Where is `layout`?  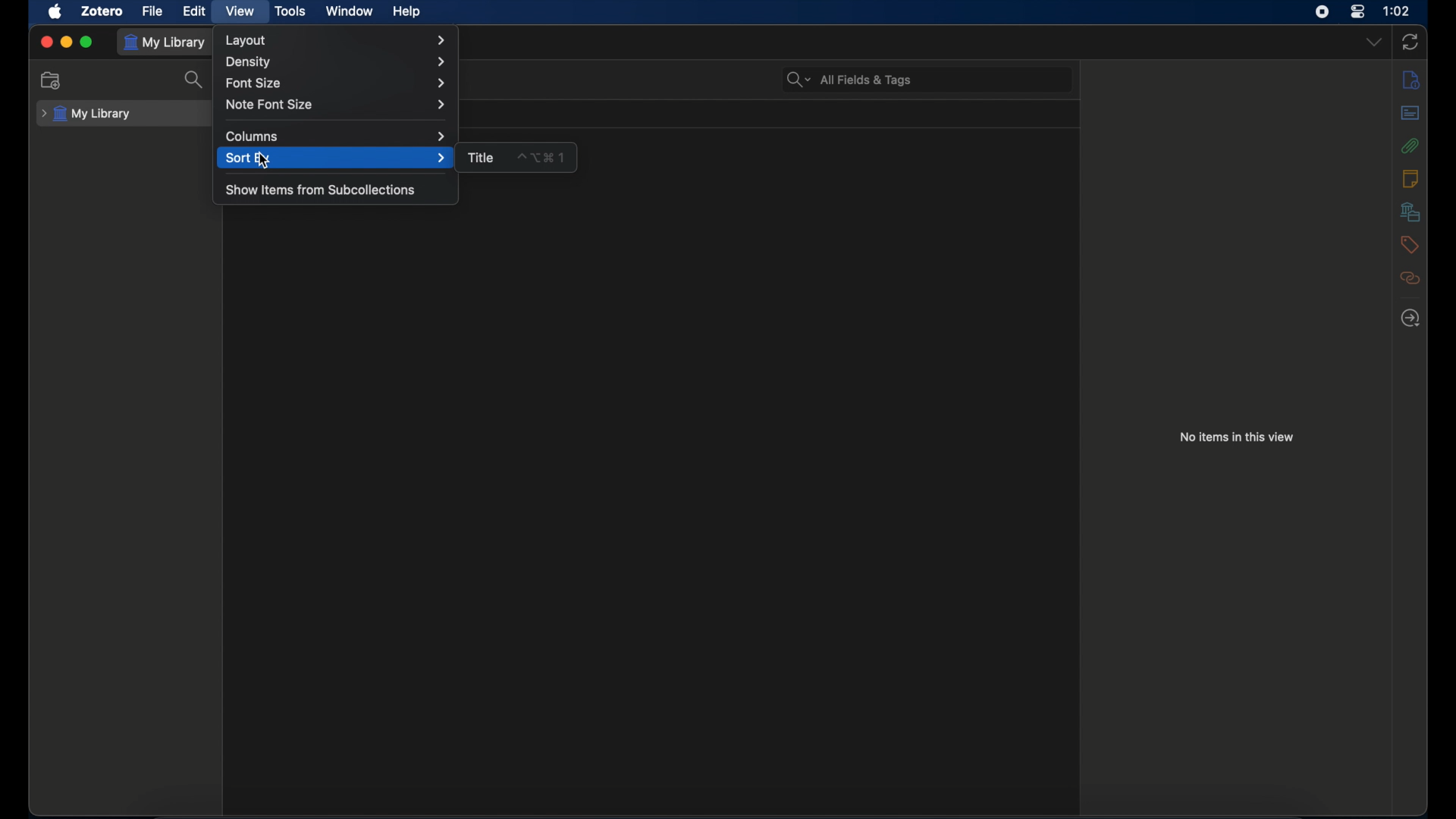
layout is located at coordinates (335, 41).